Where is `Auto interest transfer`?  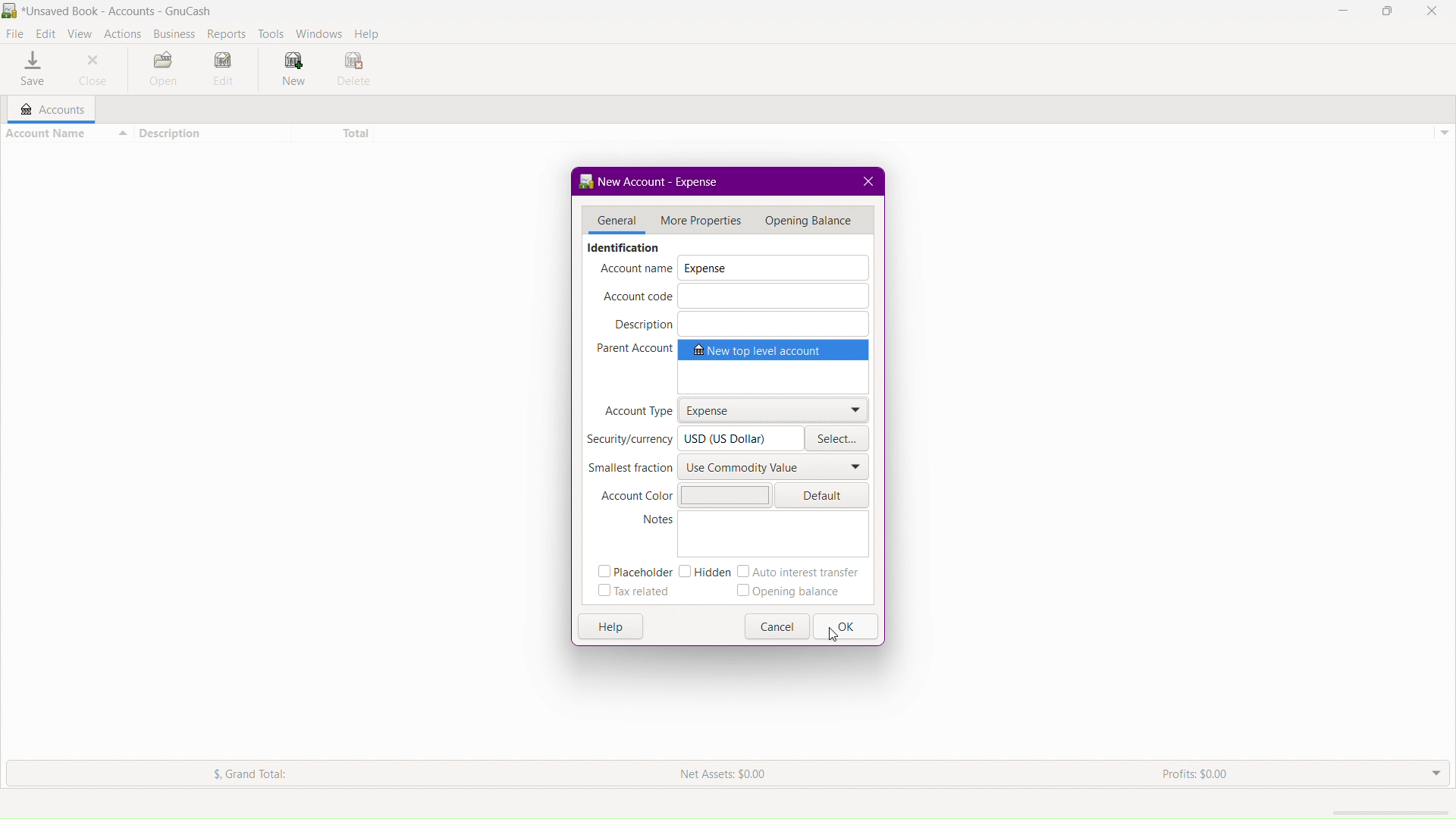 Auto interest transfer is located at coordinates (802, 572).